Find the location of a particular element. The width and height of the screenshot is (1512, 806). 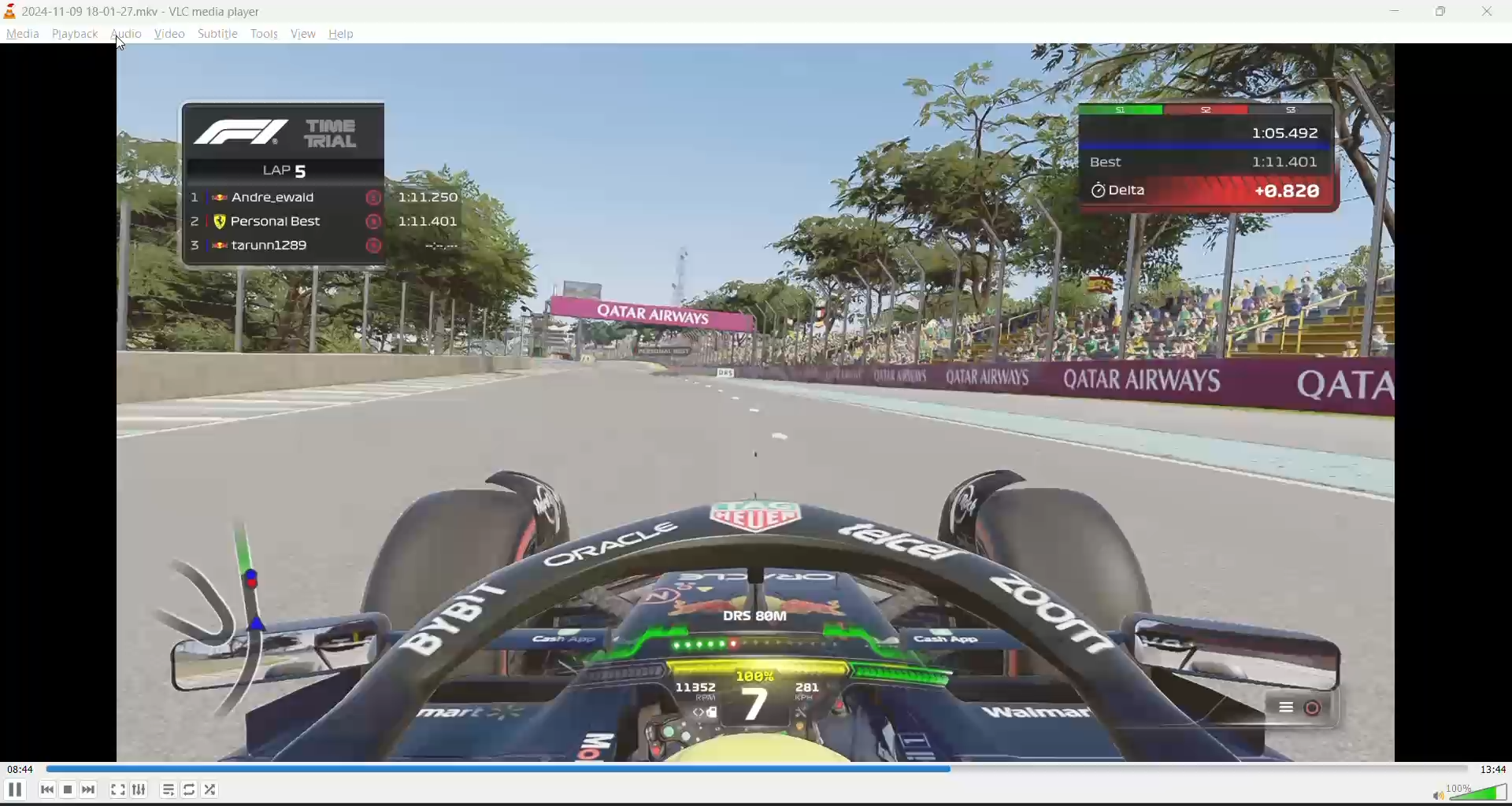

tools is located at coordinates (263, 35).